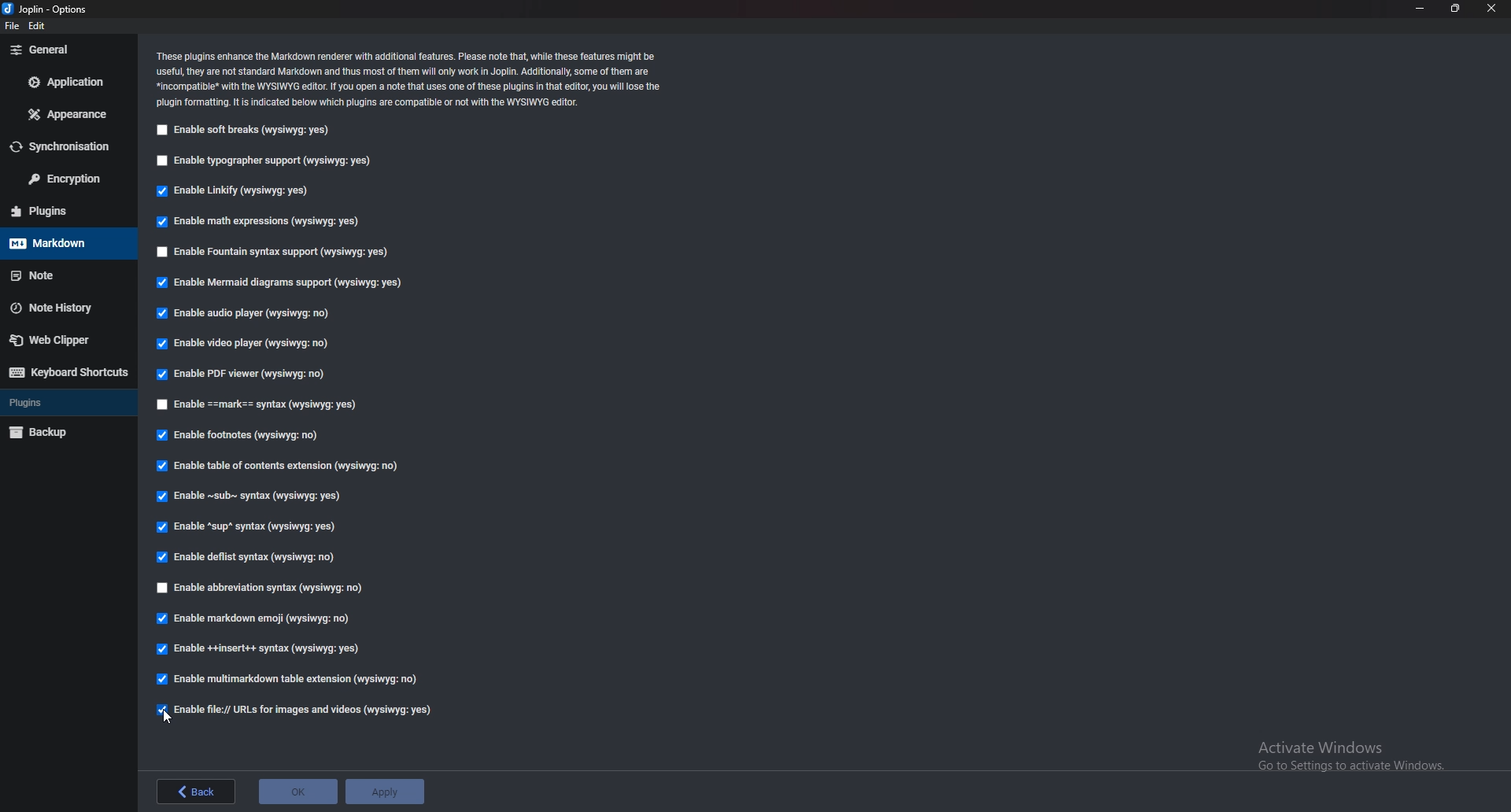 This screenshot has width=1511, height=812. Describe the element at coordinates (261, 648) in the screenshot. I see `Enable insert syntax` at that location.